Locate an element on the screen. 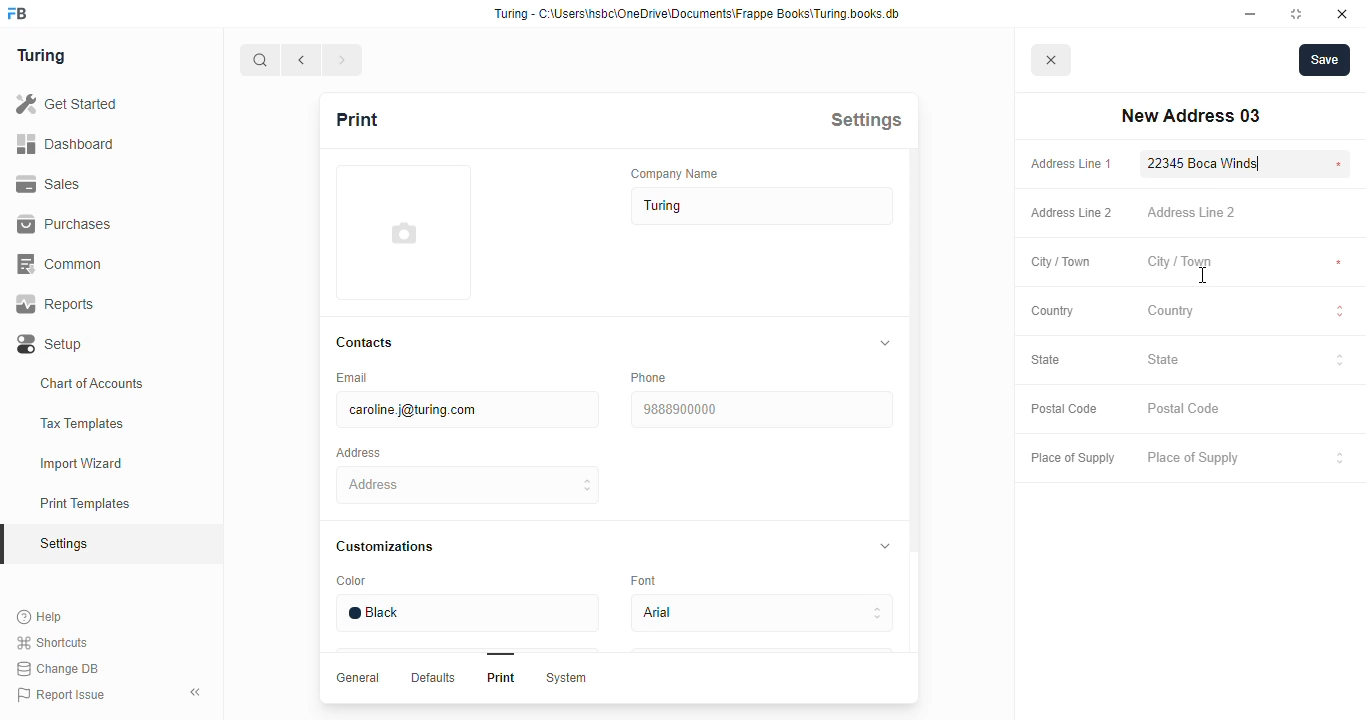 Image resolution: width=1366 pixels, height=720 pixels. dashboard is located at coordinates (65, 143).